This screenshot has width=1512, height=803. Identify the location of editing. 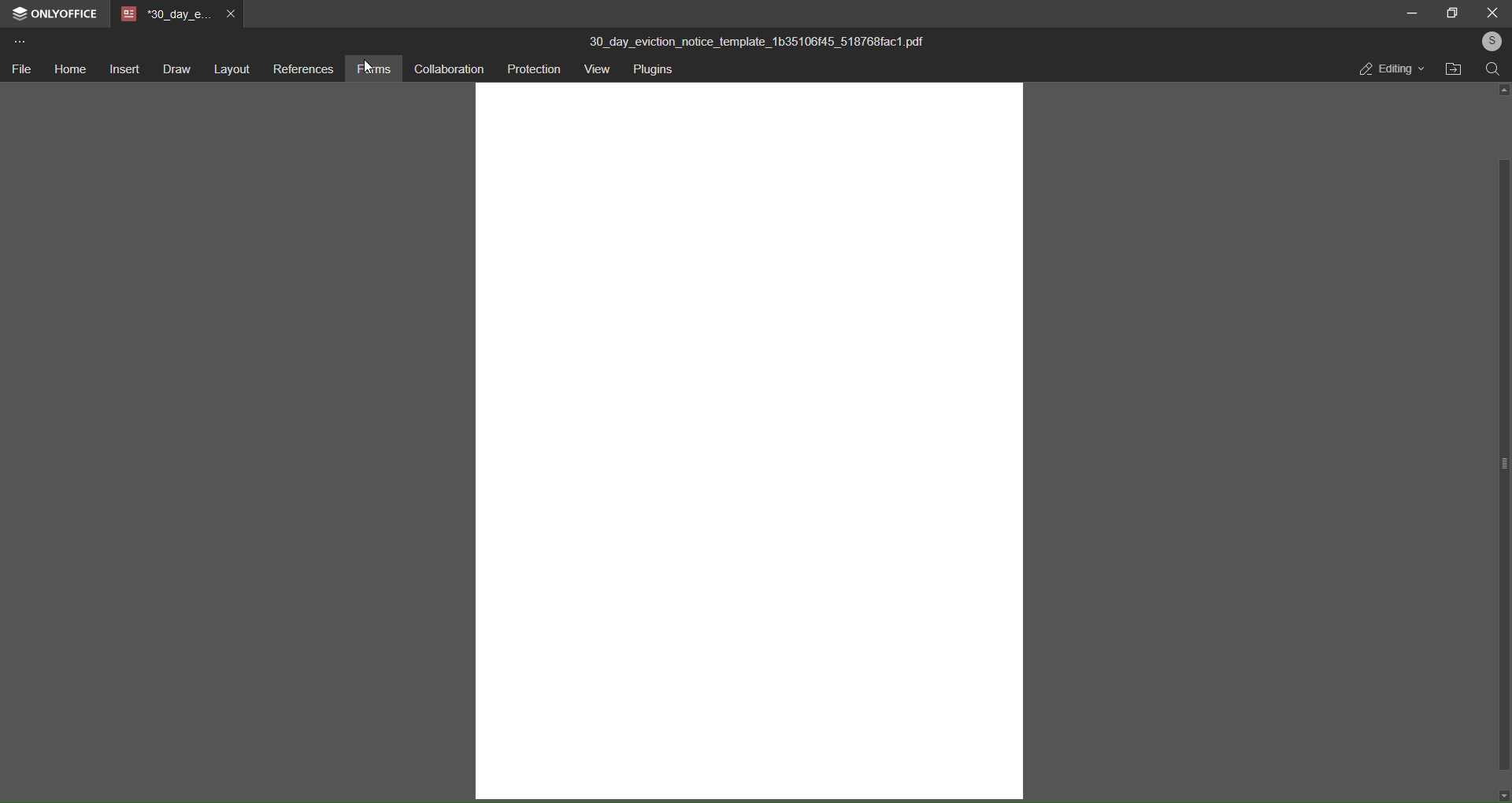
(1388, 68).